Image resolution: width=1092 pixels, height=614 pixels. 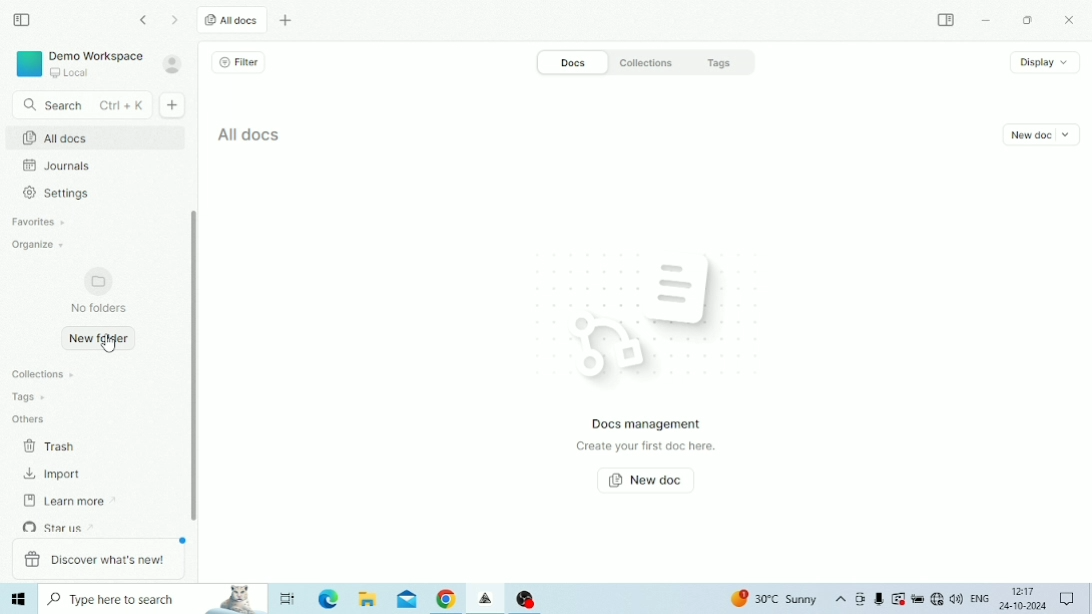 I want to click on File Explorer, so click(x=368, y=599).